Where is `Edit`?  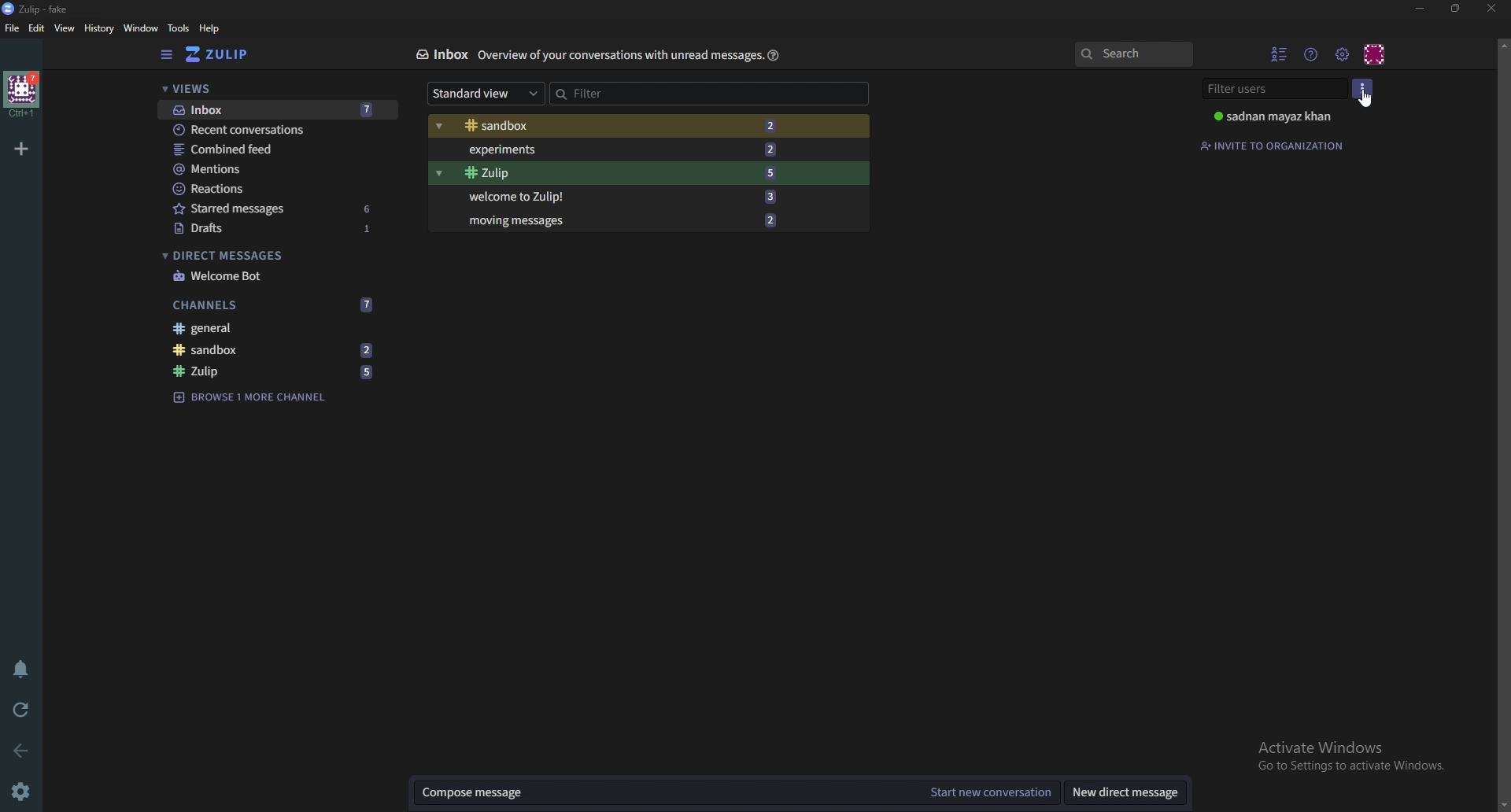 Edit is located at coordinates (38, 28).